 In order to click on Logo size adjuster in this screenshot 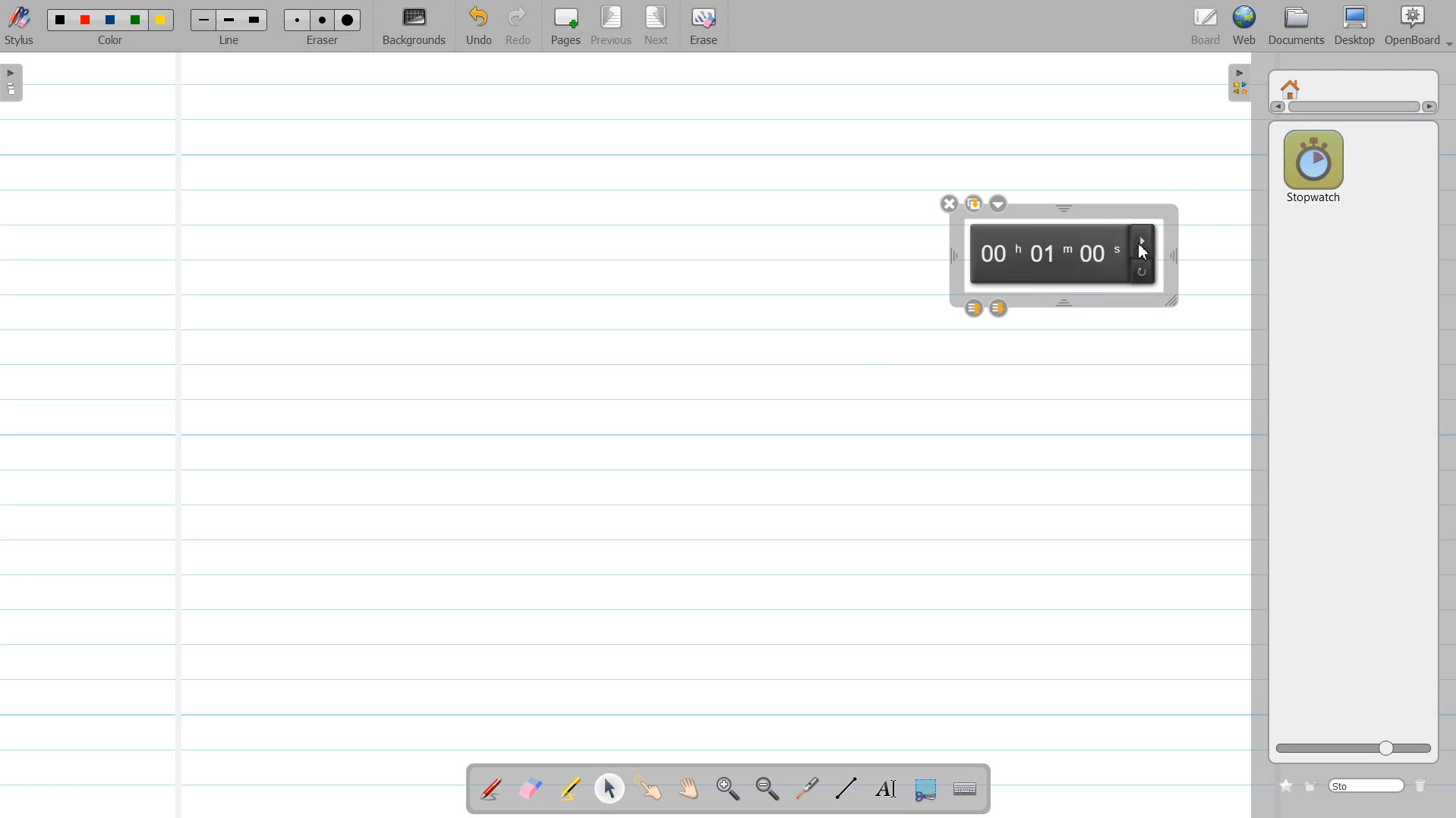, I will do `click(1354, 749)`.